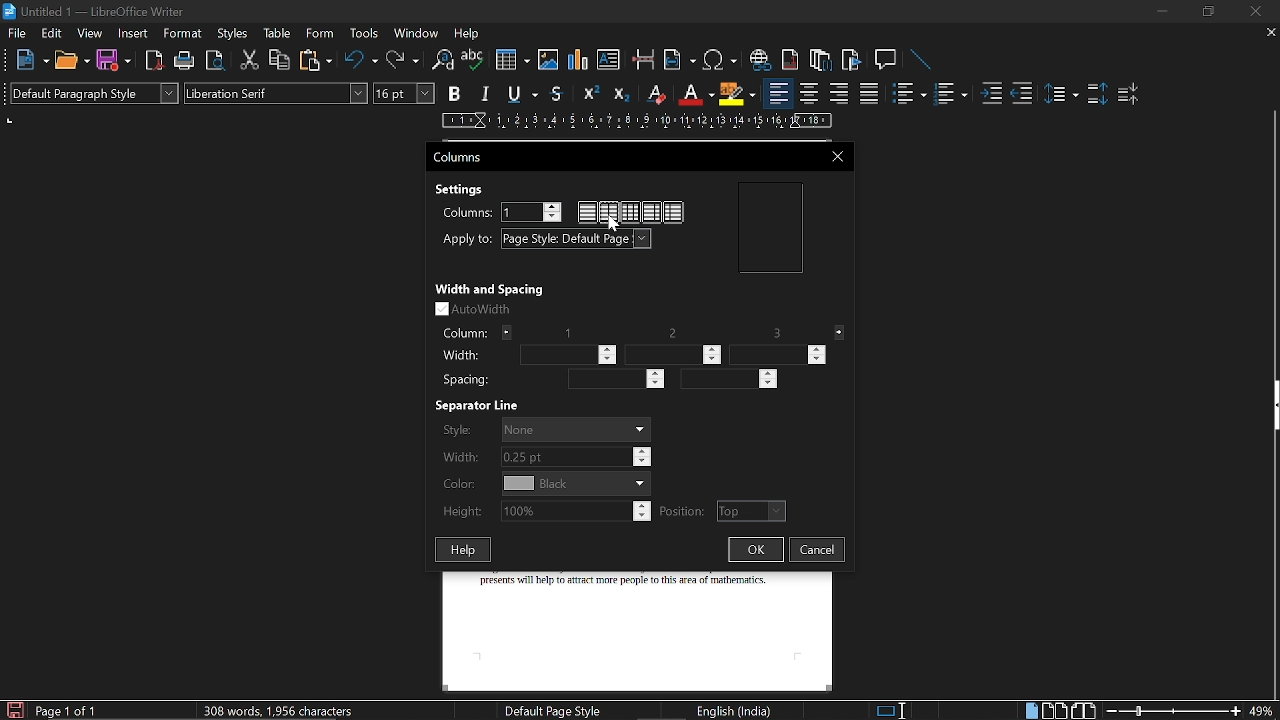  I want to click on Italic, so click(486, 94).